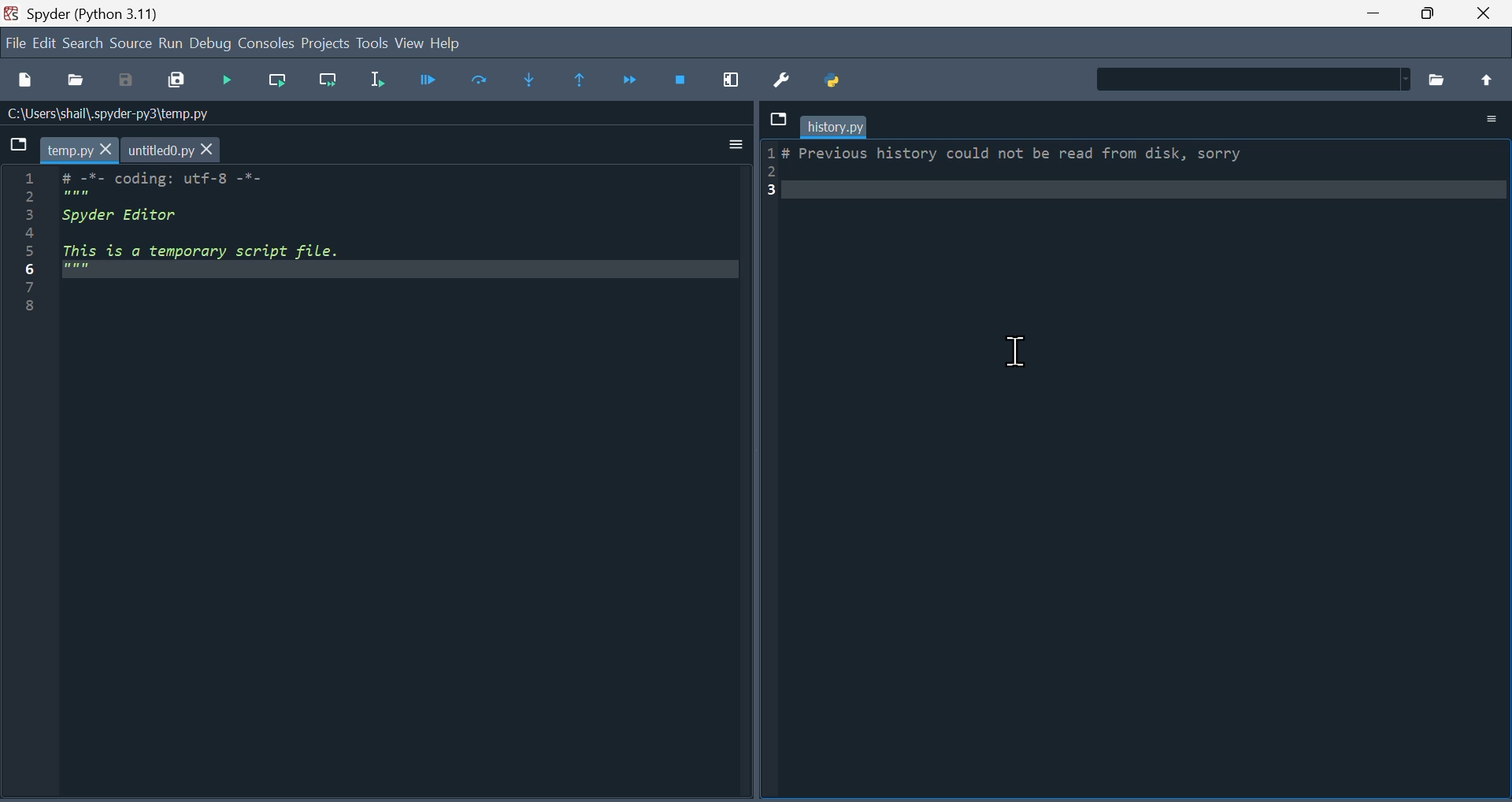  What do you see at coordinates (261, 224) in the screenshot?
I see `code` at bounding box center [261, 224].